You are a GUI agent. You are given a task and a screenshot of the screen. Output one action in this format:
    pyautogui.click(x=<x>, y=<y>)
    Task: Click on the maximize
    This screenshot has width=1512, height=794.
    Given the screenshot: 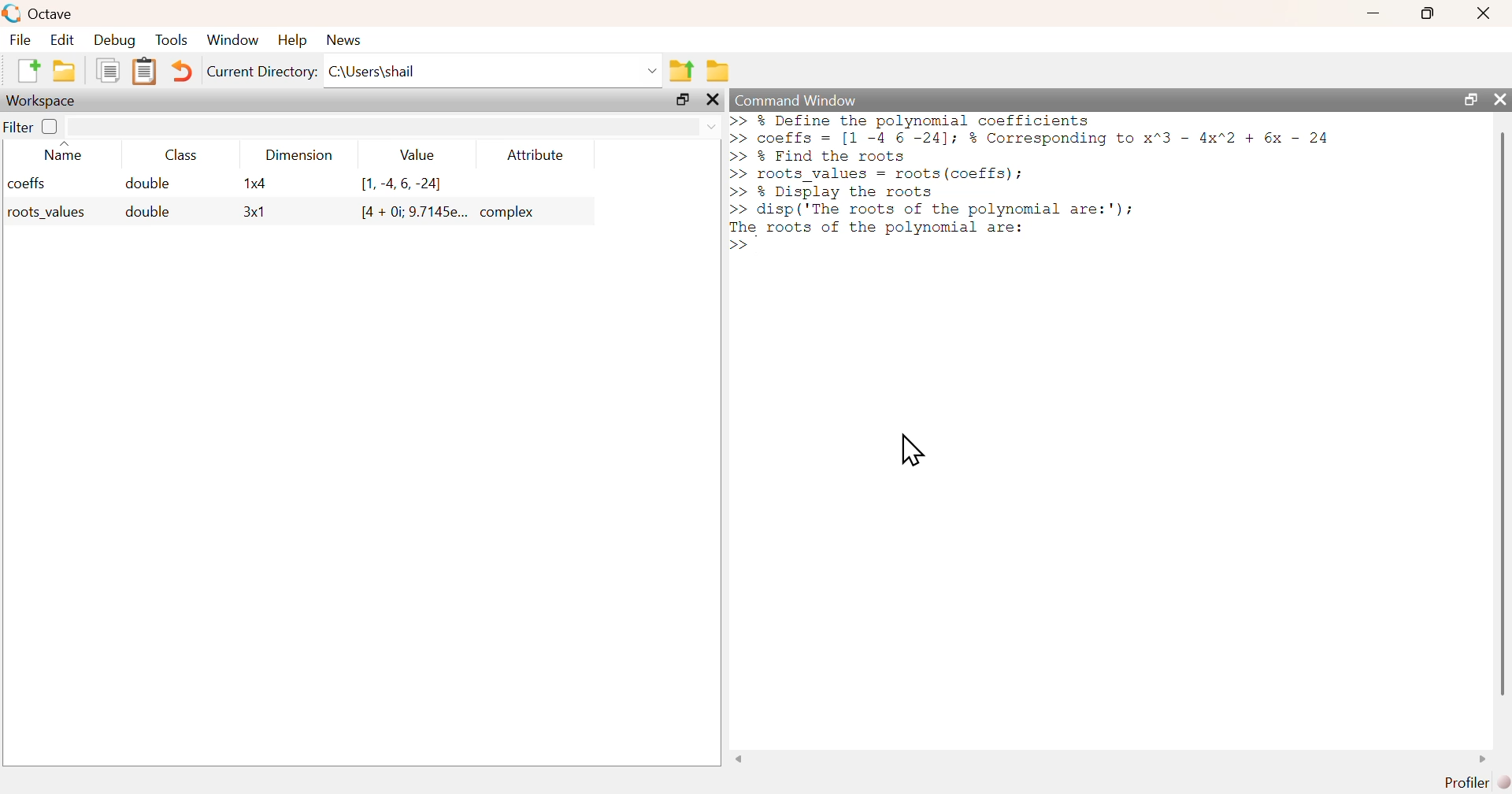 What is the action you would take?
    pyautogui.click(x=682, y=100)
    